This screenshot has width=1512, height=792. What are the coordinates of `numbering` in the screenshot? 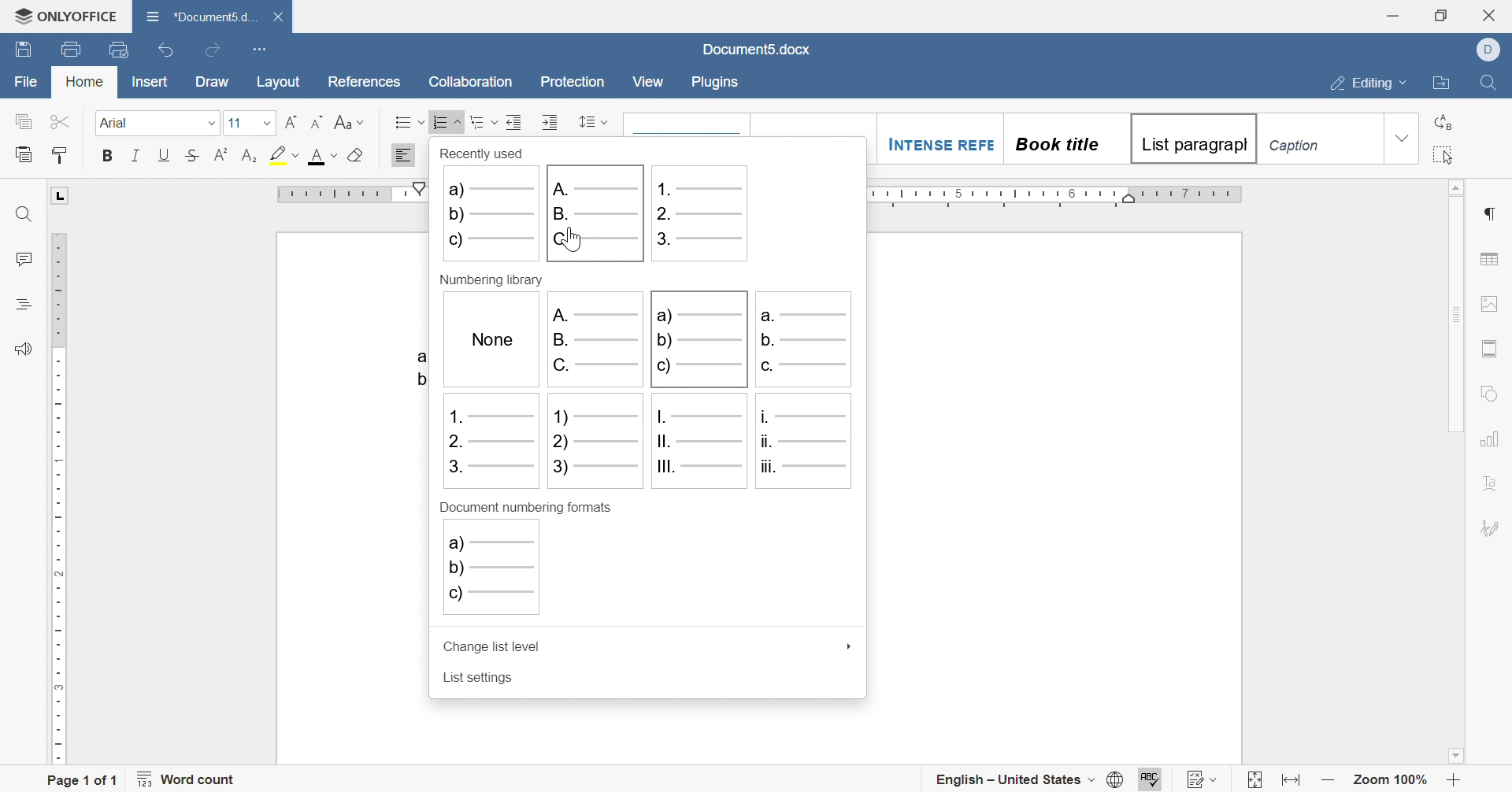 It's located at (447, 123).